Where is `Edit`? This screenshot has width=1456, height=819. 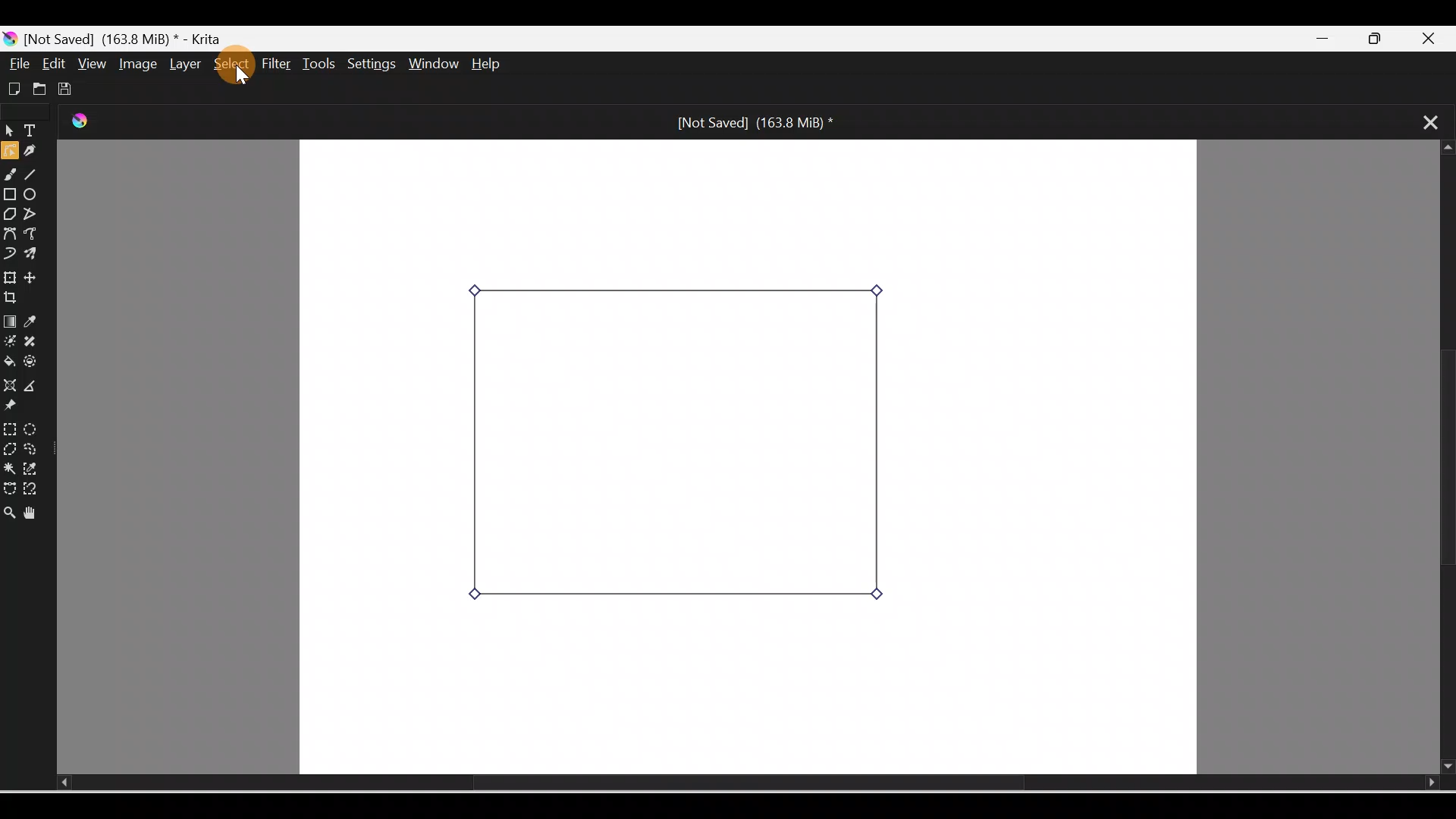
Edit is located at coordinates (55, 64).